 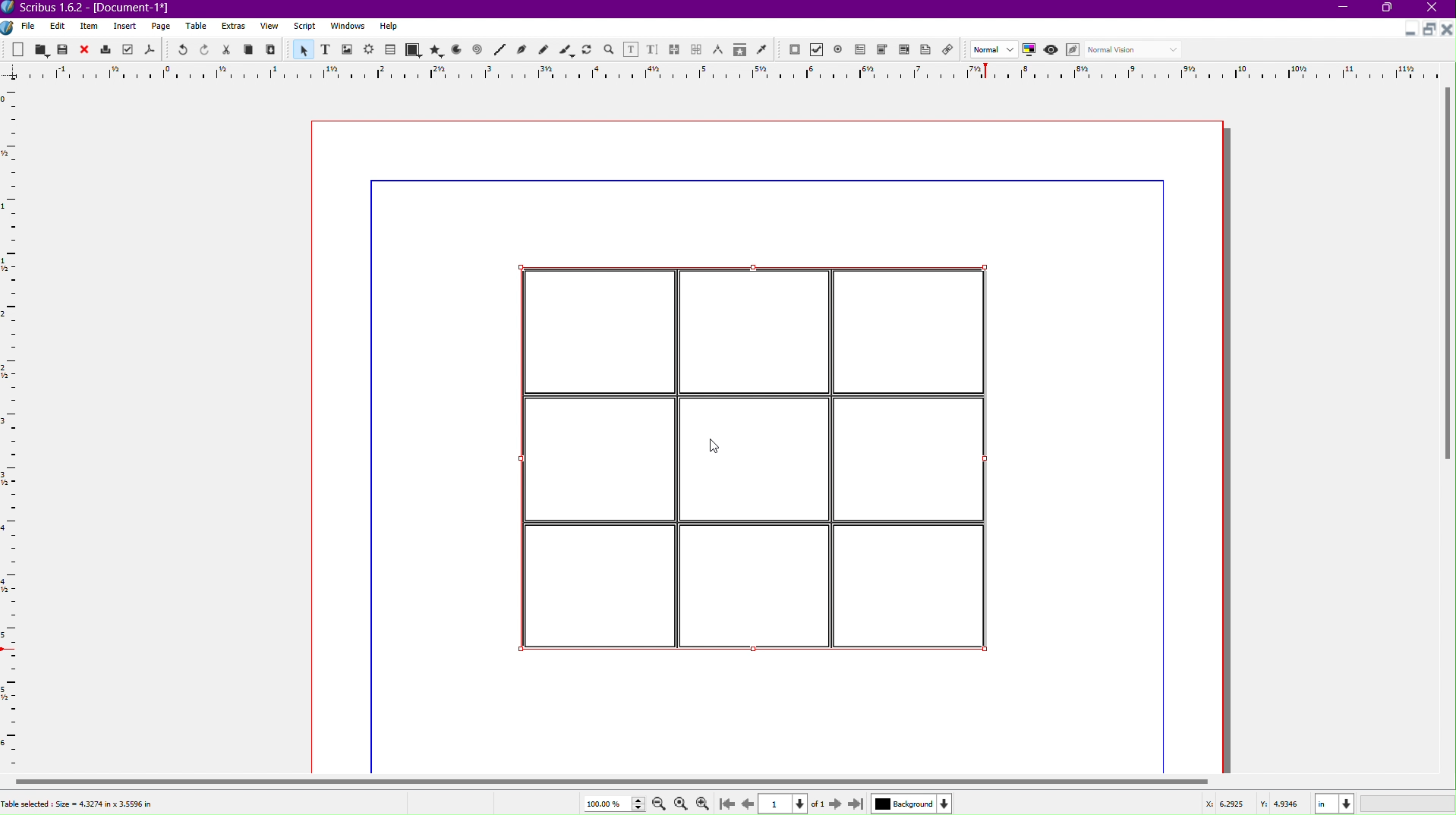 What do you see at coordinates (499, 50) in the screenshot?
I see `Line` at bounding box center [499, 50].